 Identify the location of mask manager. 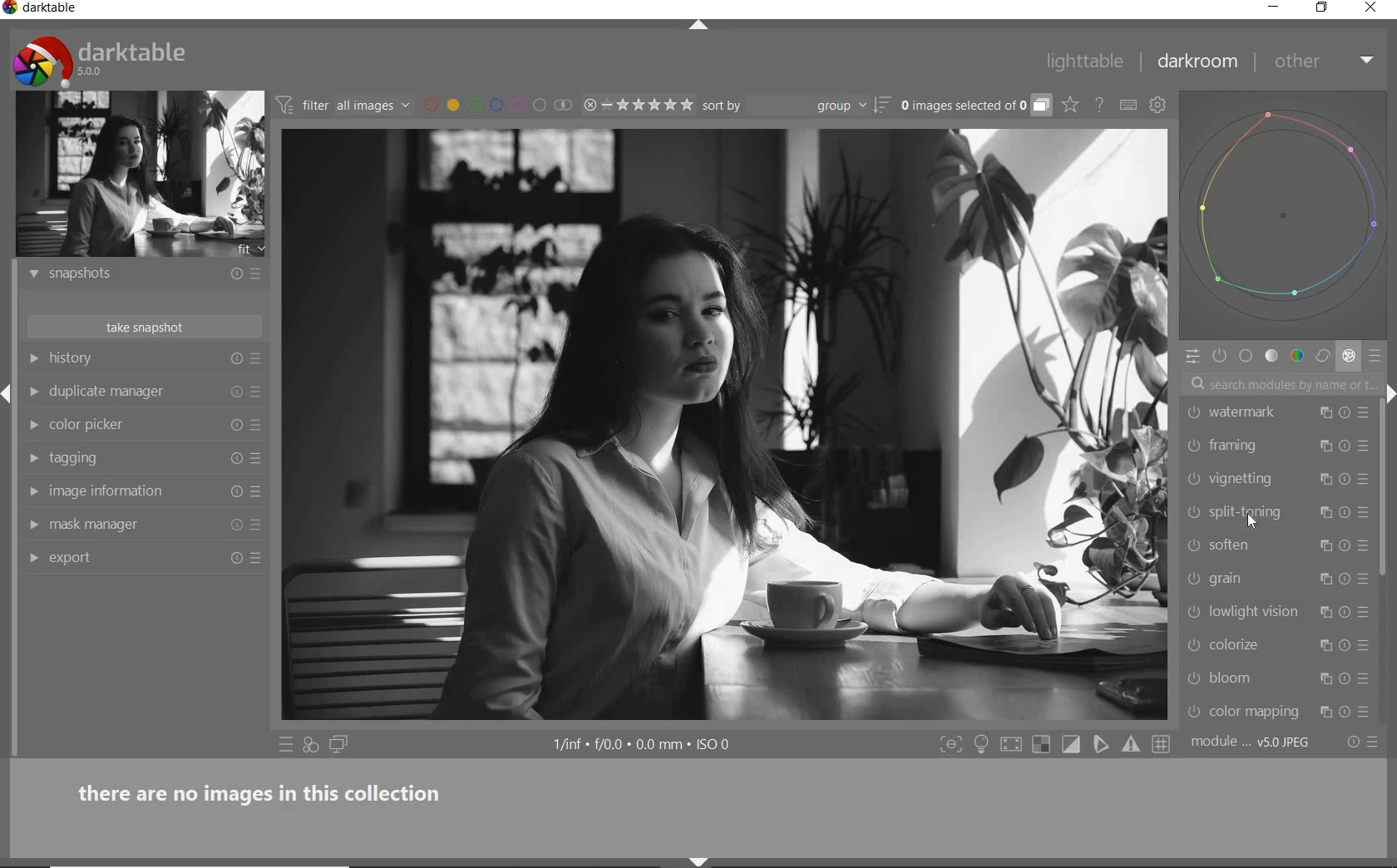
(132, 524).